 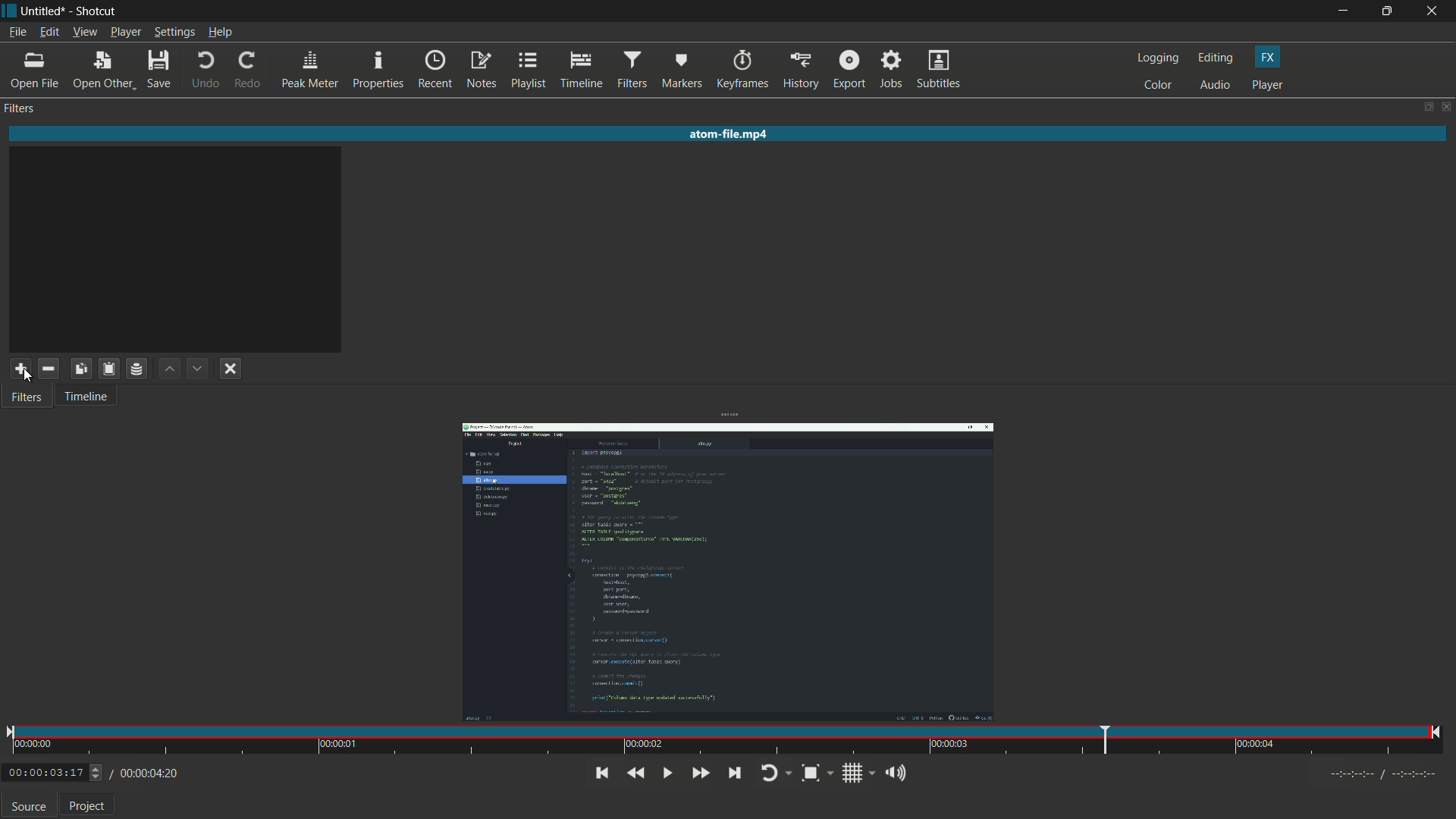 What do you see at coordinates (941, 71) in the screenshot?
I see `subtitles` at bounding box center [941, 71].